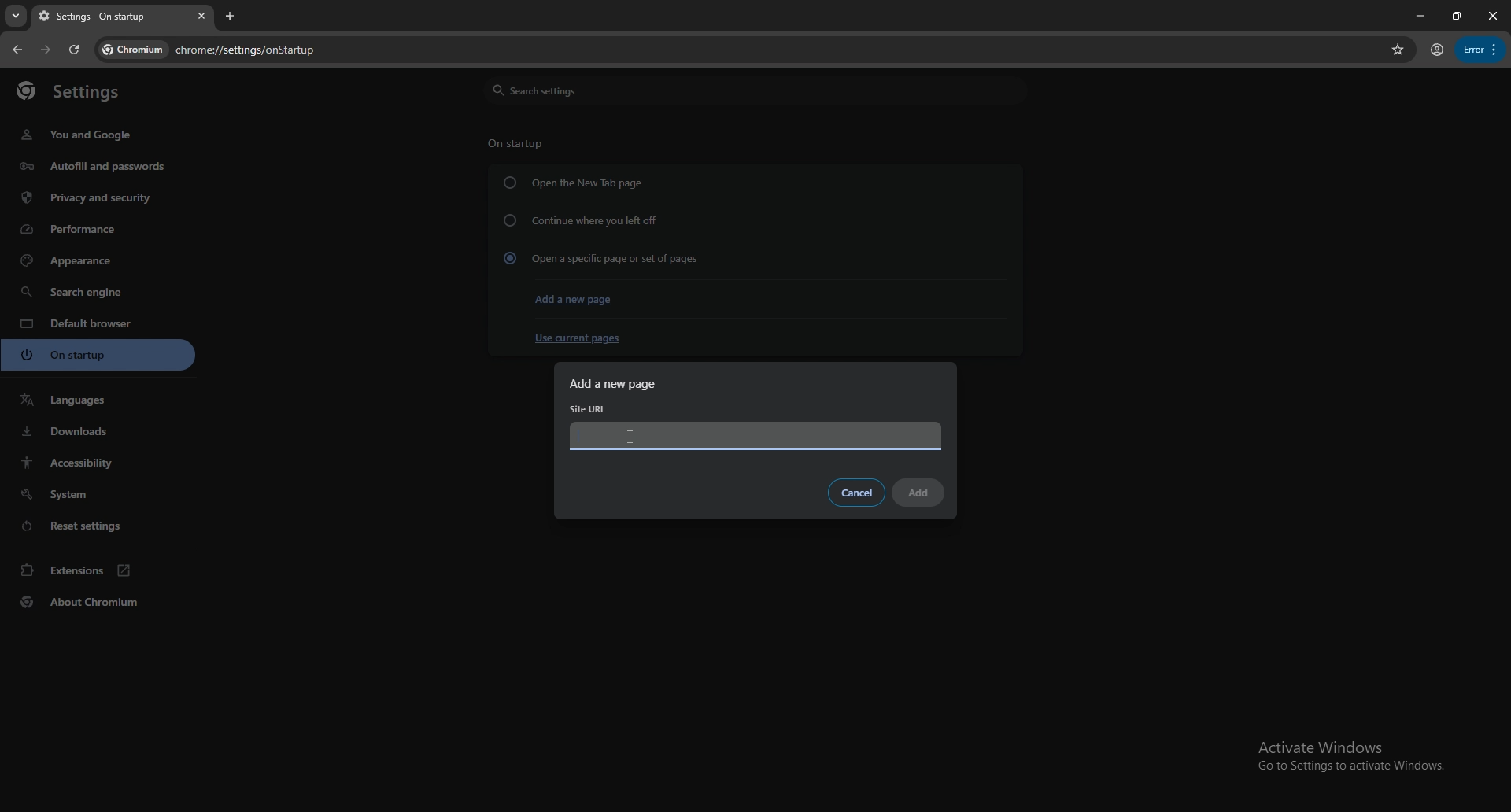 The height and width of the screenshot is (812, 1511). What do you see at coordinates (199, 17) in the screenshot?
I see `close tab` at bounding box center [199, 17].